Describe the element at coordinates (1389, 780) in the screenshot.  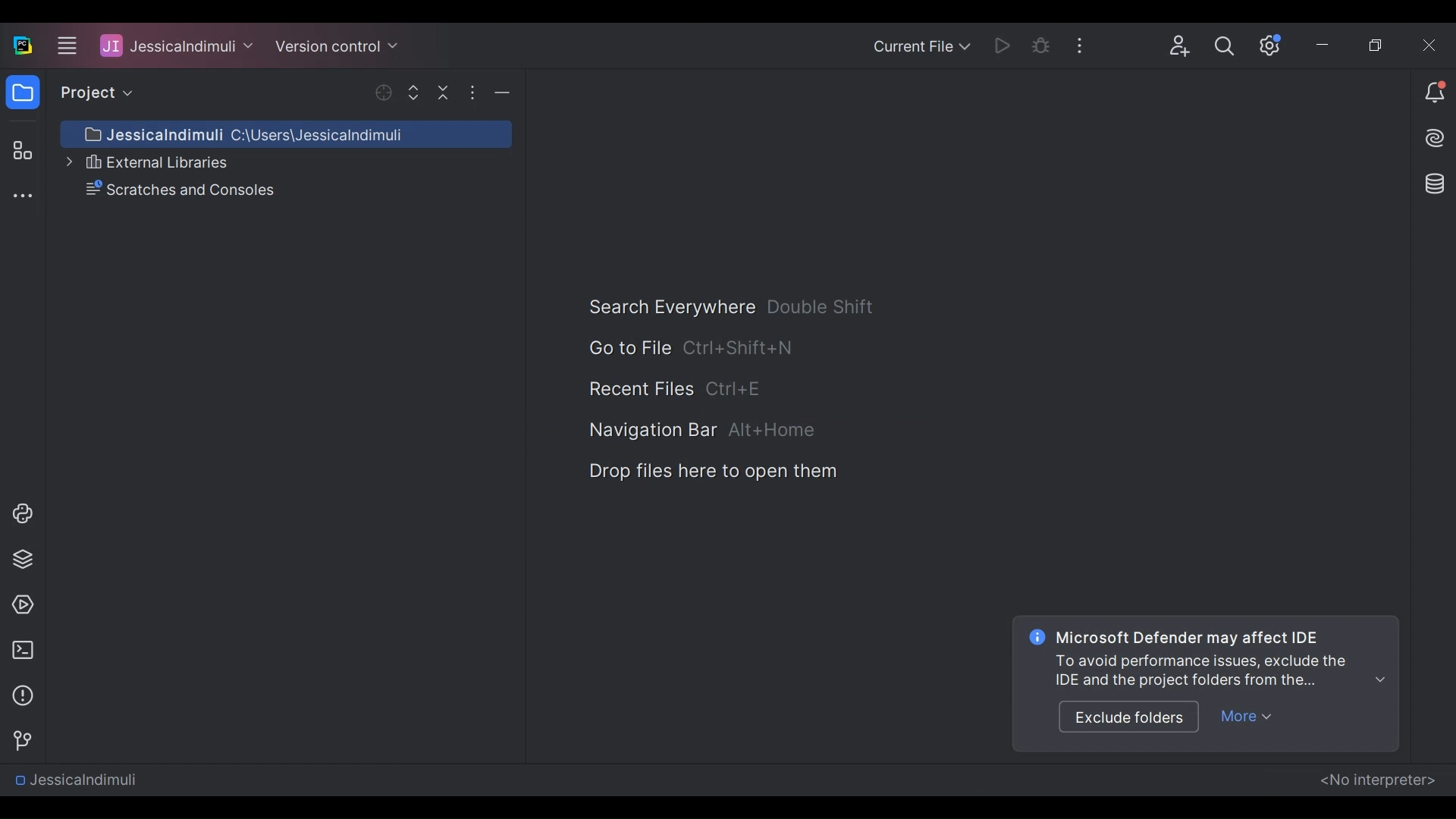
I see `No interpreter` at that location.